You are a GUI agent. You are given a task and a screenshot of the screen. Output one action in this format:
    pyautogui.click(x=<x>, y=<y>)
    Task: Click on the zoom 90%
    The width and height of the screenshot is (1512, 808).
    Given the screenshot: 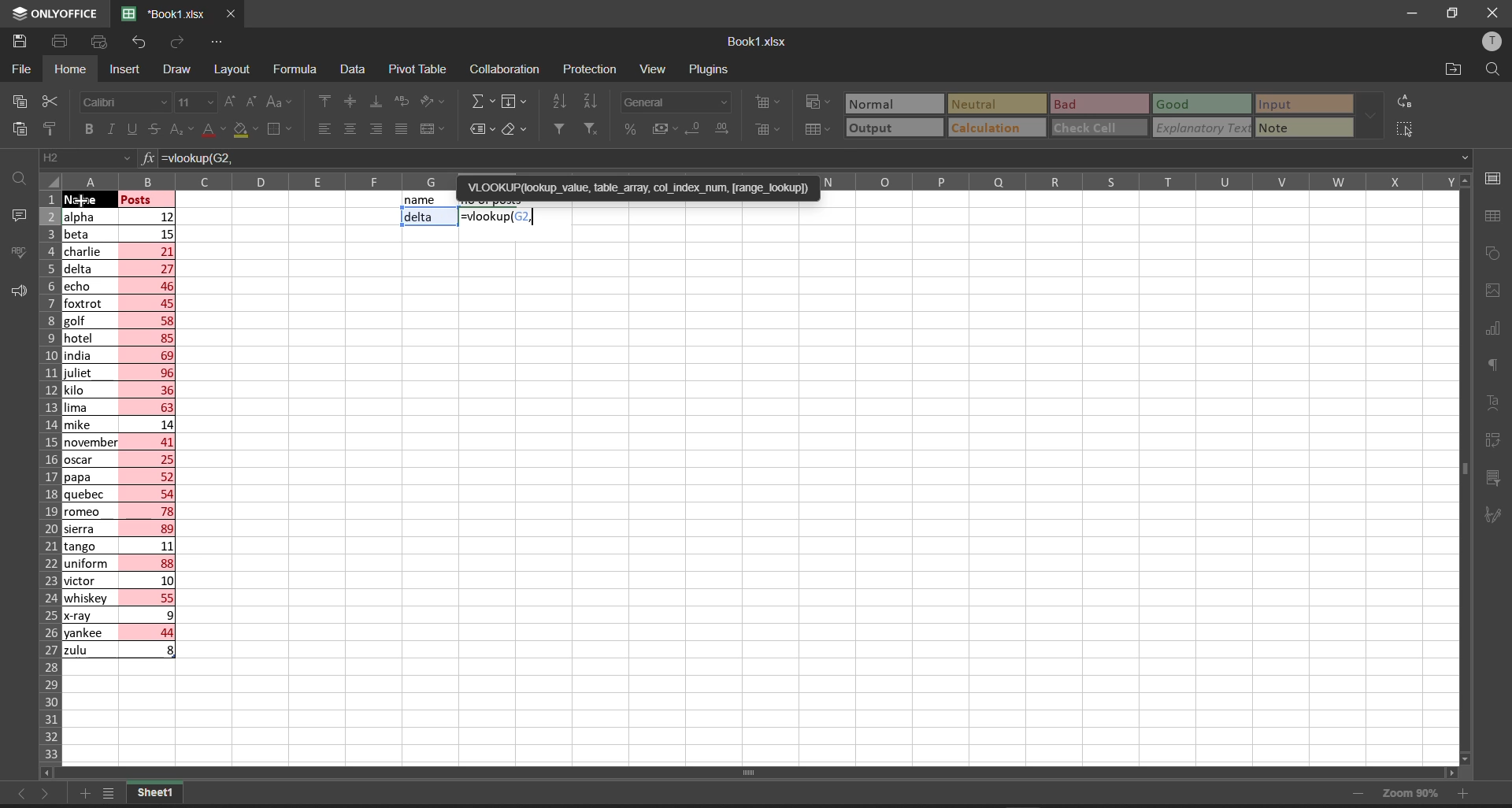 What is the action you would take?
    pyautogui.click(x=1409, y=793)
    